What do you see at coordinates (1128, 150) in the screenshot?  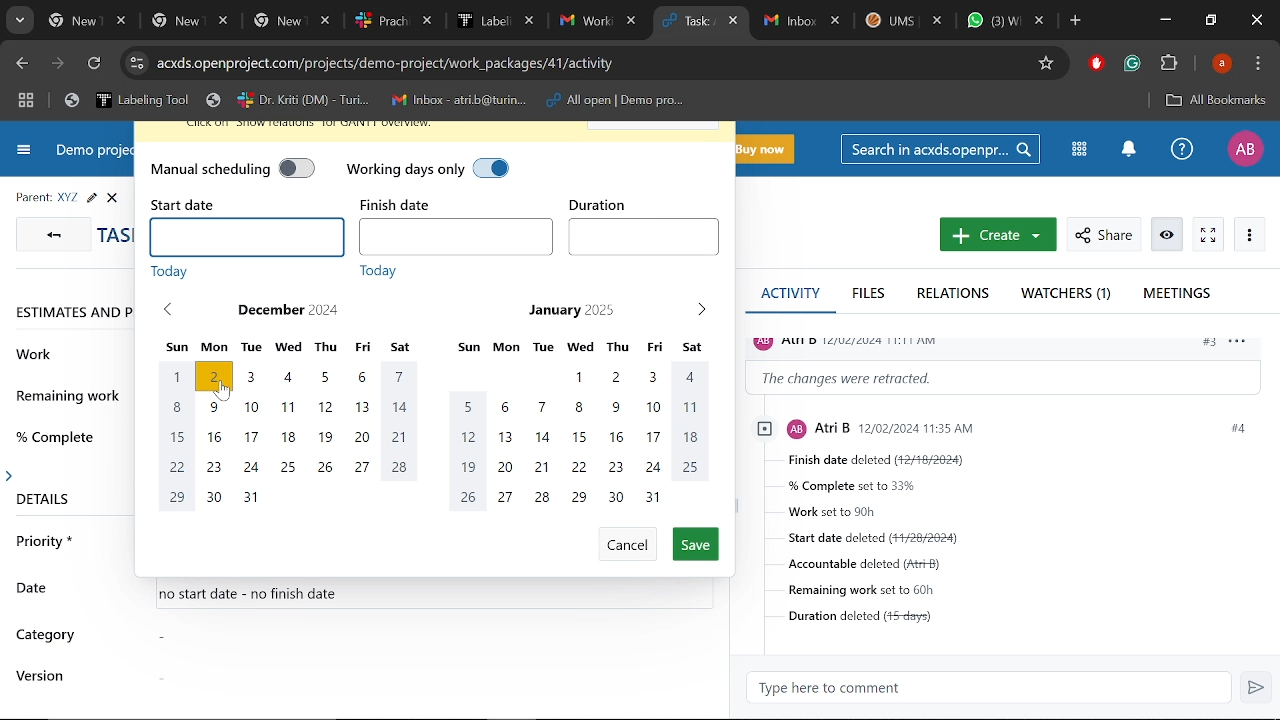 I see `Notifications` at bounding box center [1128, 150].